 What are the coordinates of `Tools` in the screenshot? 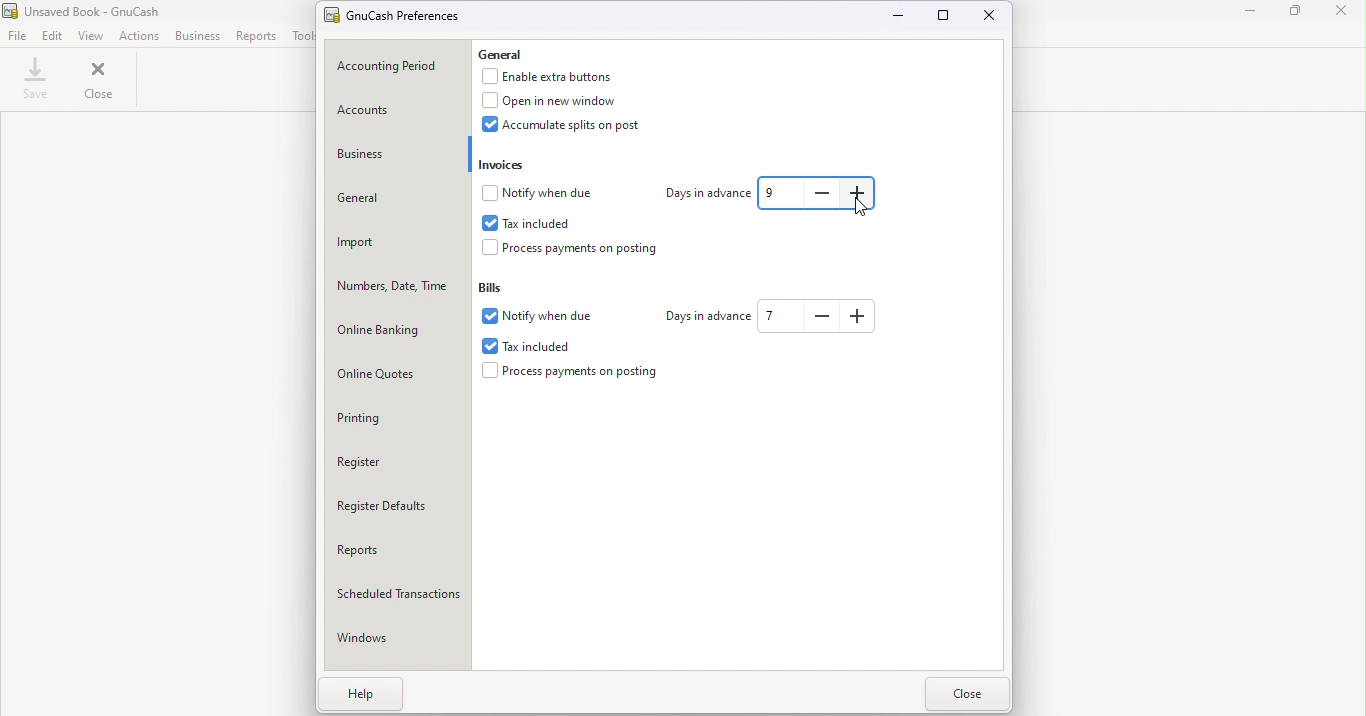 It's located at (301, 36).